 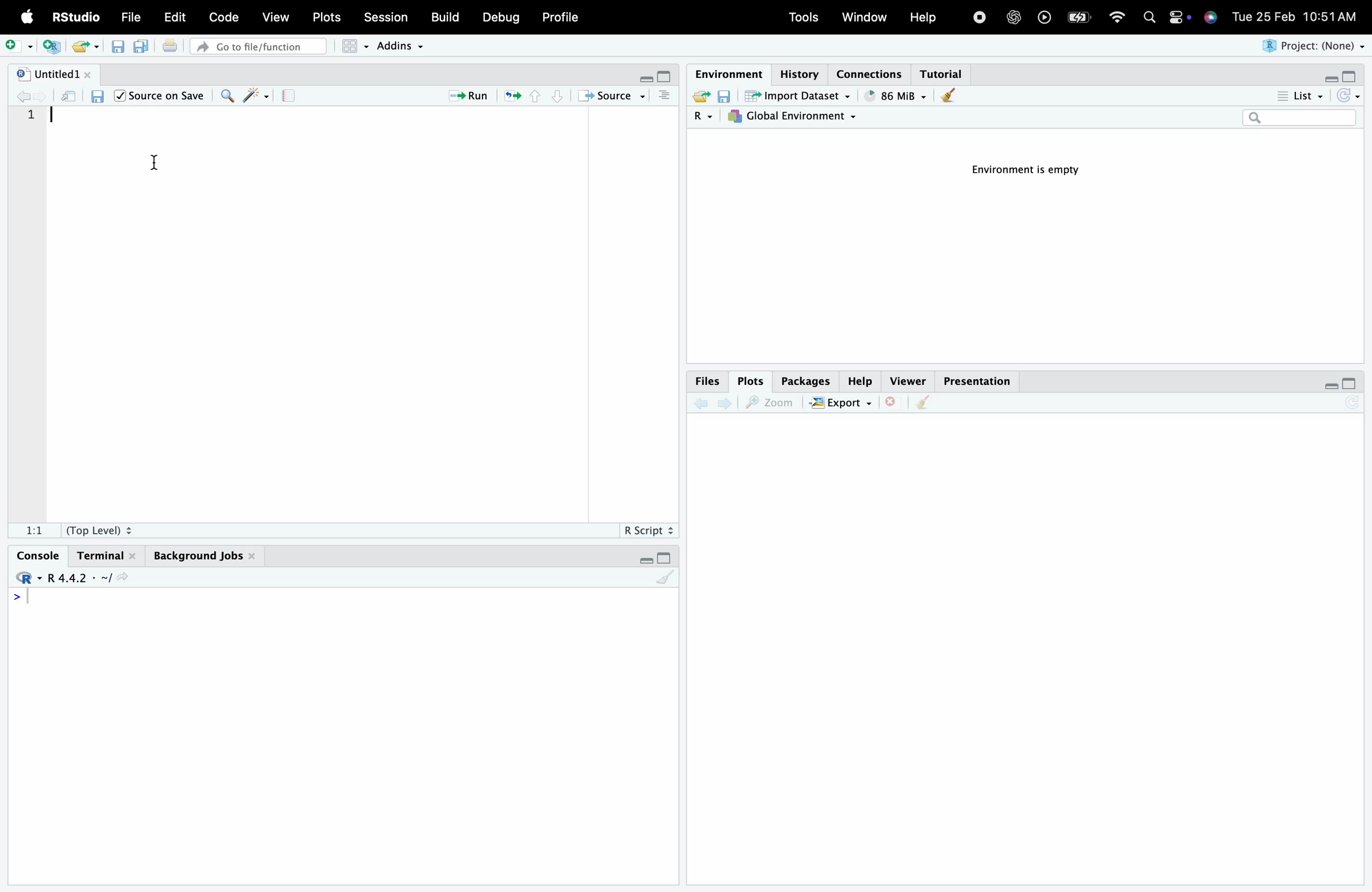 I want to click on add script, so click(x=18, y=43).